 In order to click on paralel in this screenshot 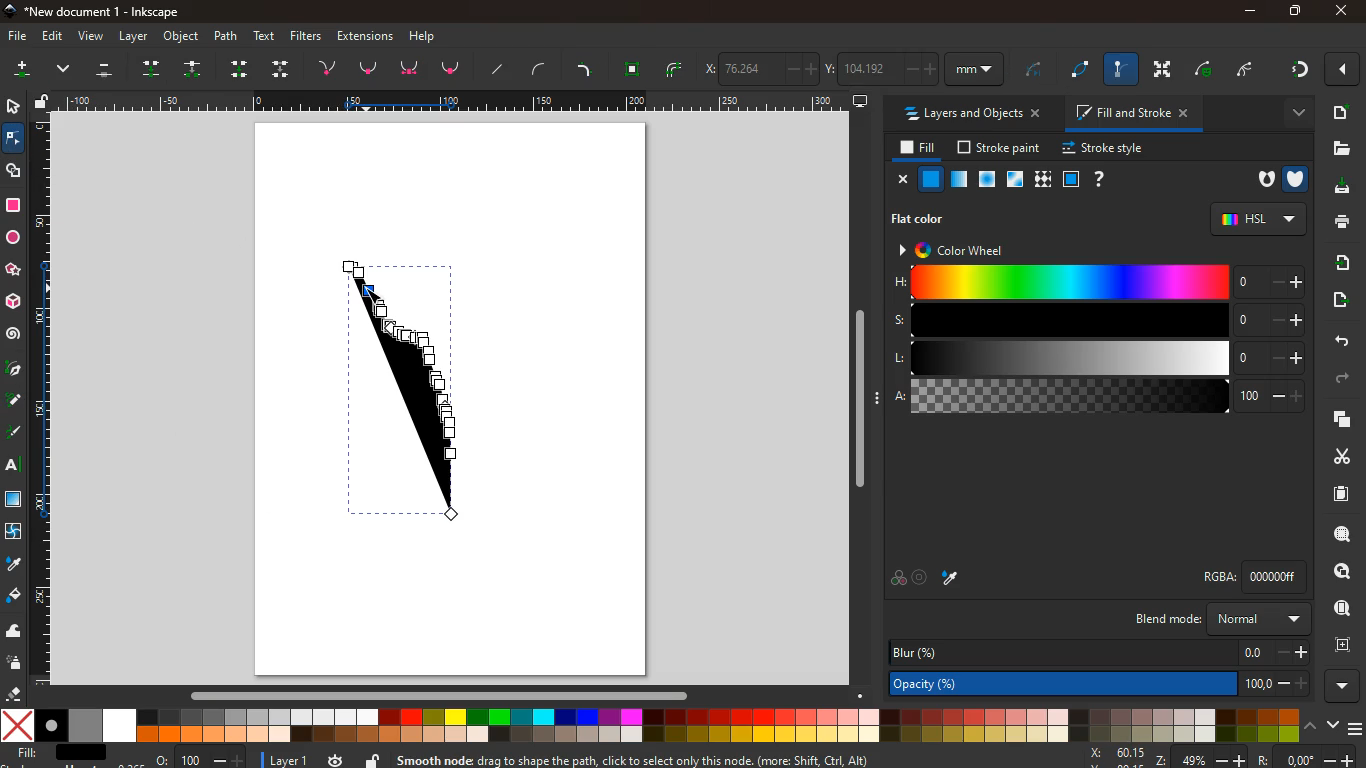, I will do `click(108, 72)`.